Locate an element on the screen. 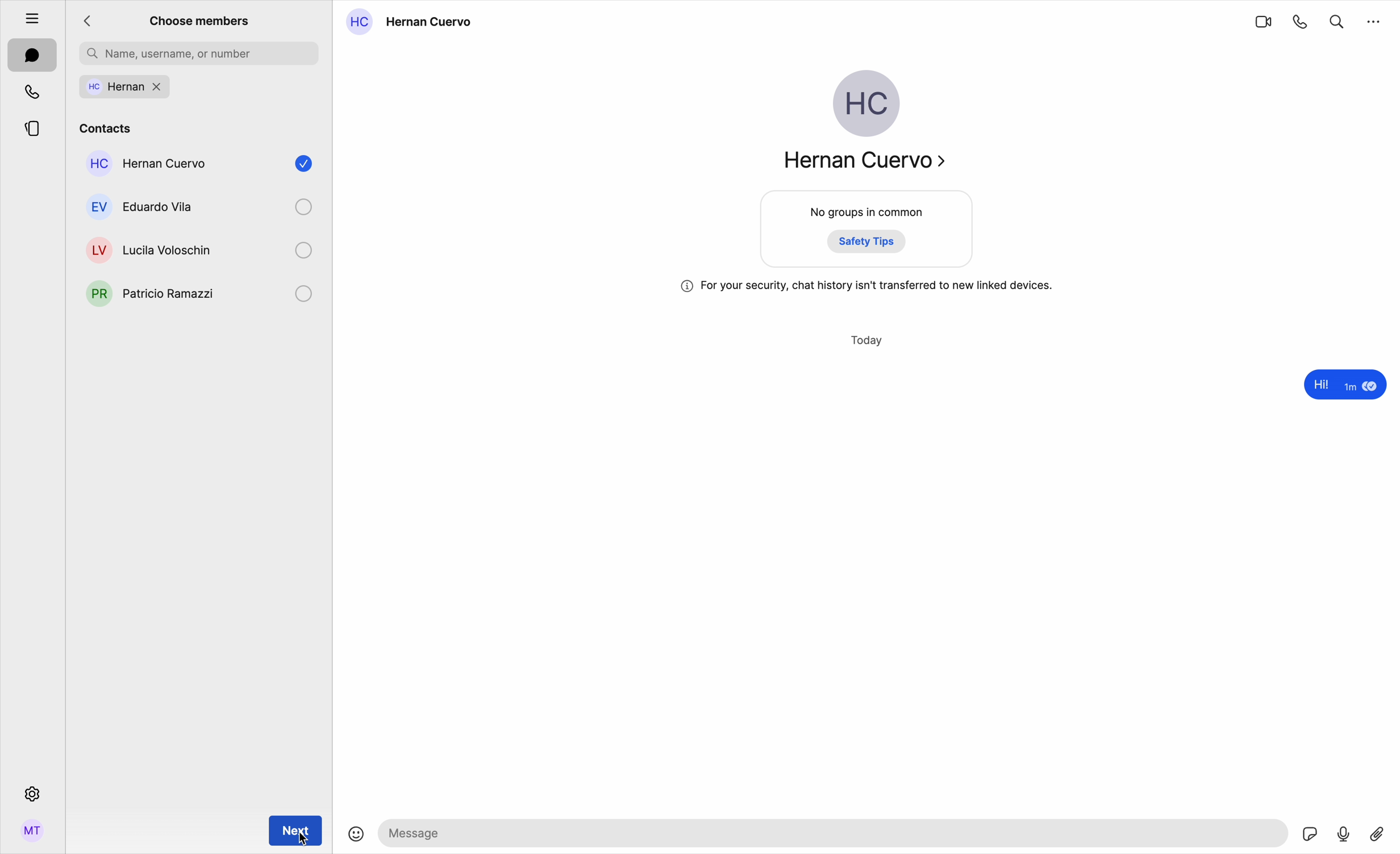 The image size is (1400, 854). no groups in common is located at coordinates (868, 231).